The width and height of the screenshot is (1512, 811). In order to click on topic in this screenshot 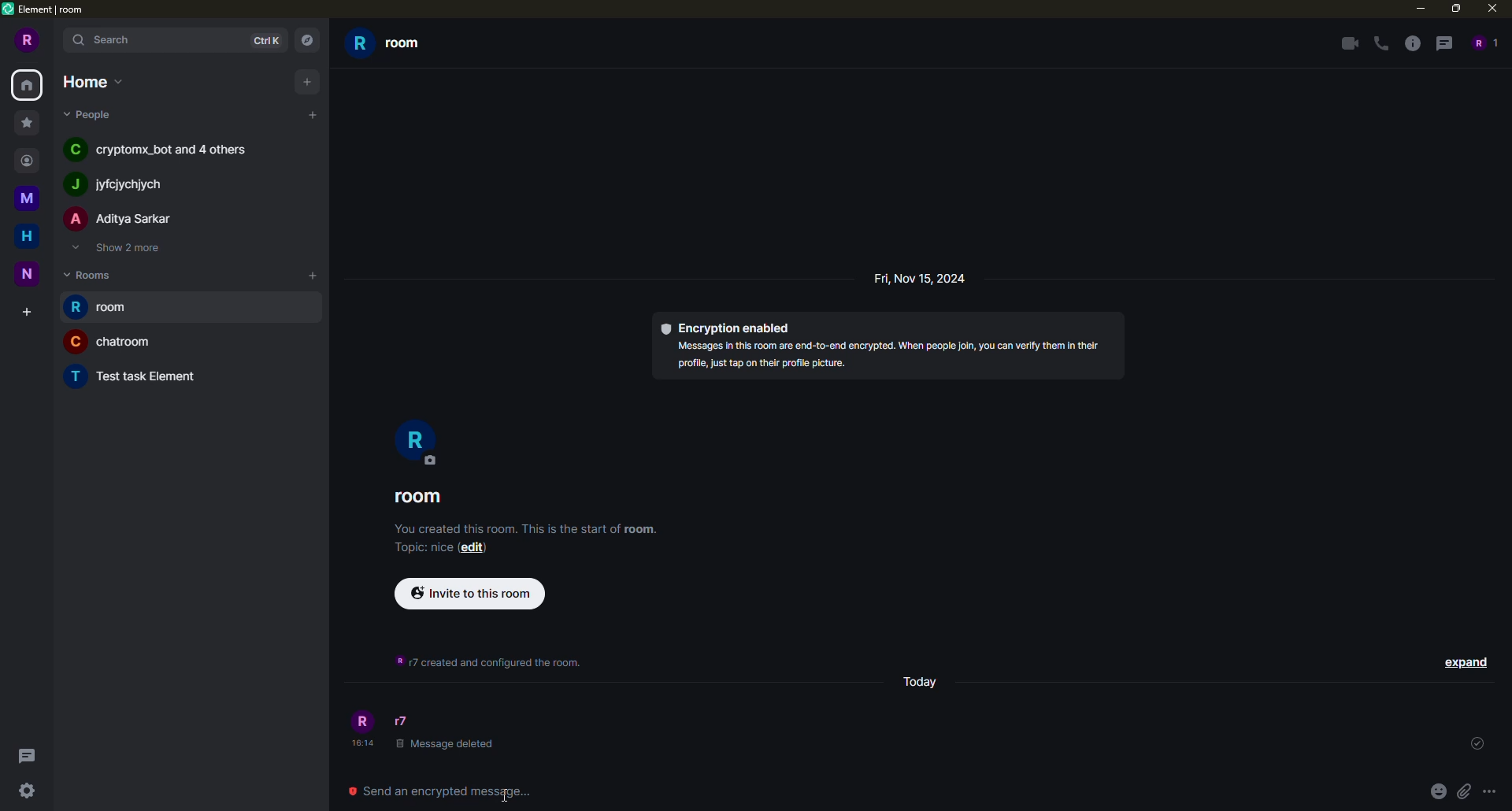, I will do `click(421, 547)`.